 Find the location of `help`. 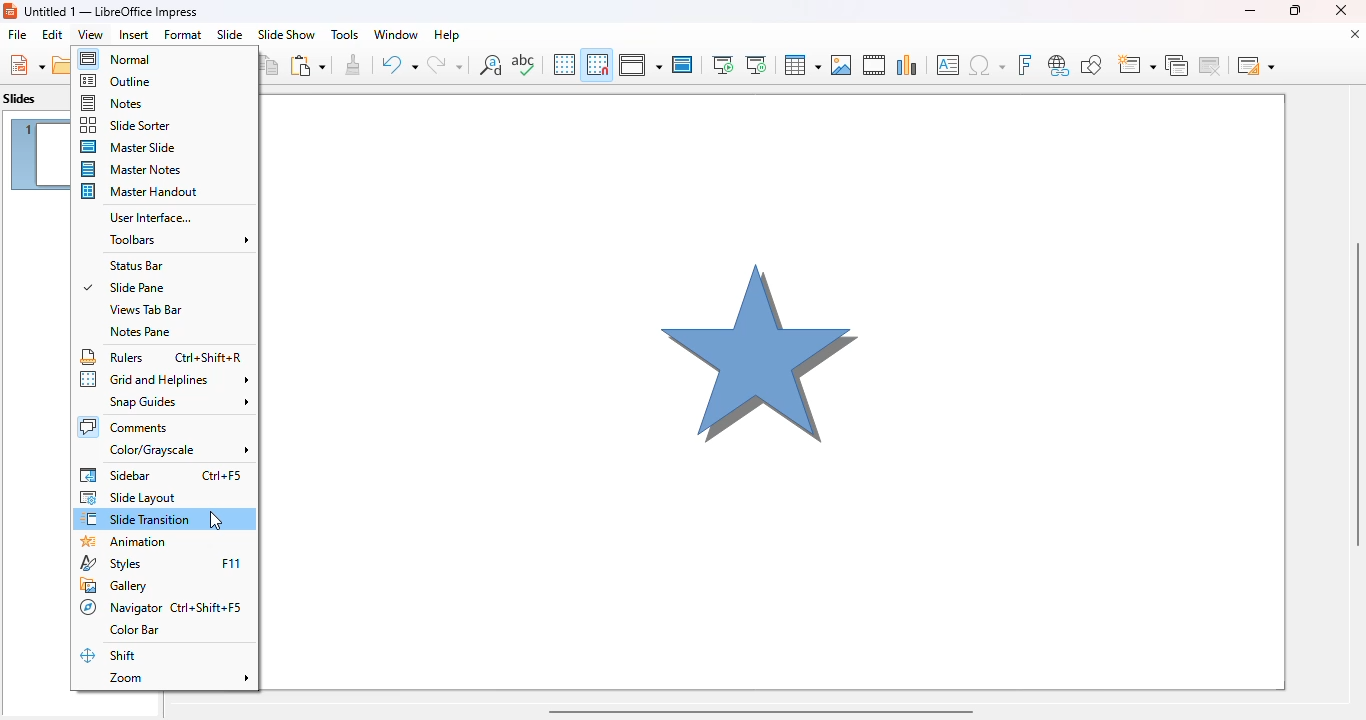

help is located at coordinates (447, 36).